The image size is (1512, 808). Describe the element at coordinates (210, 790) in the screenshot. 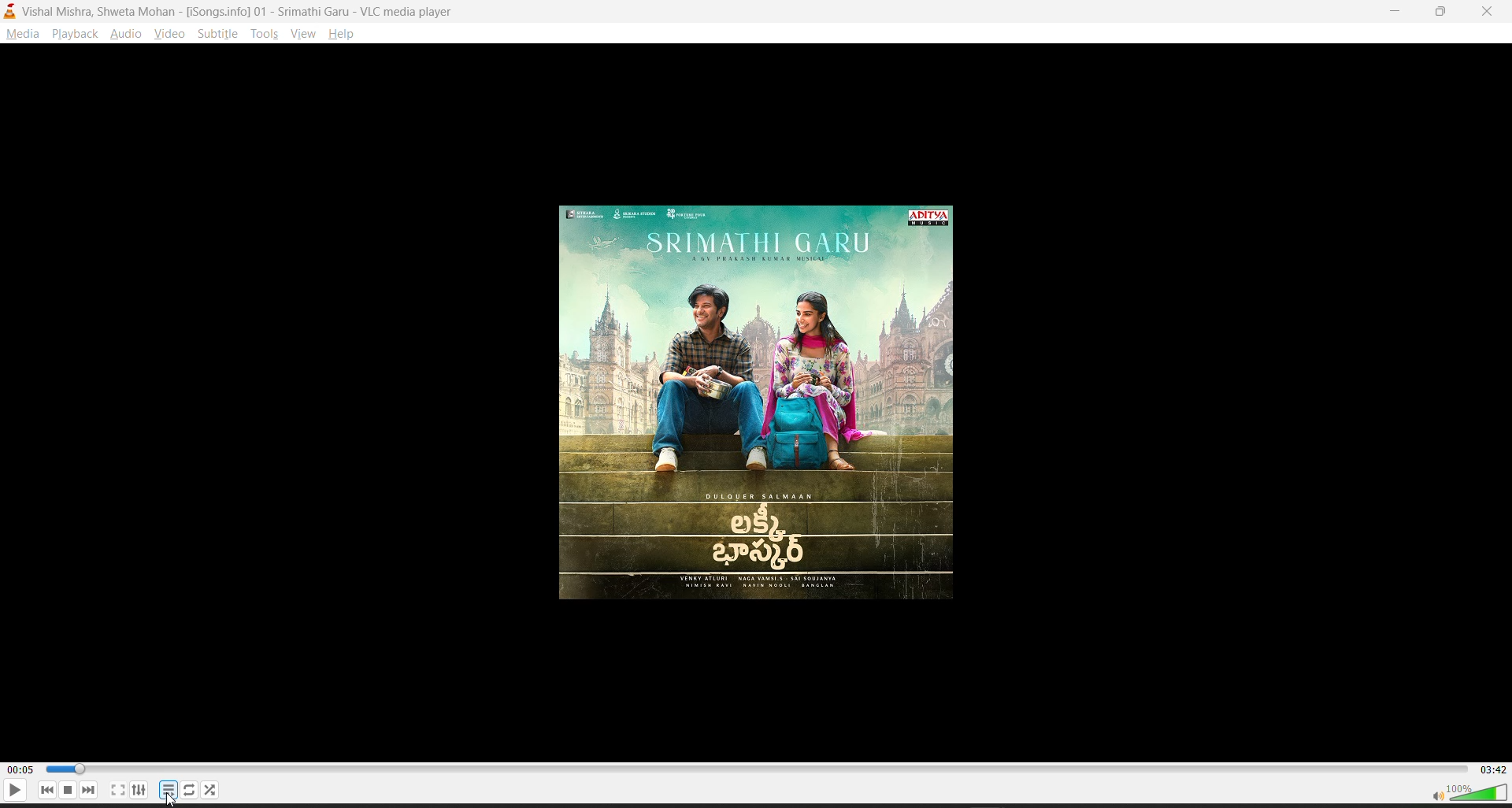

I see `random` at that location.